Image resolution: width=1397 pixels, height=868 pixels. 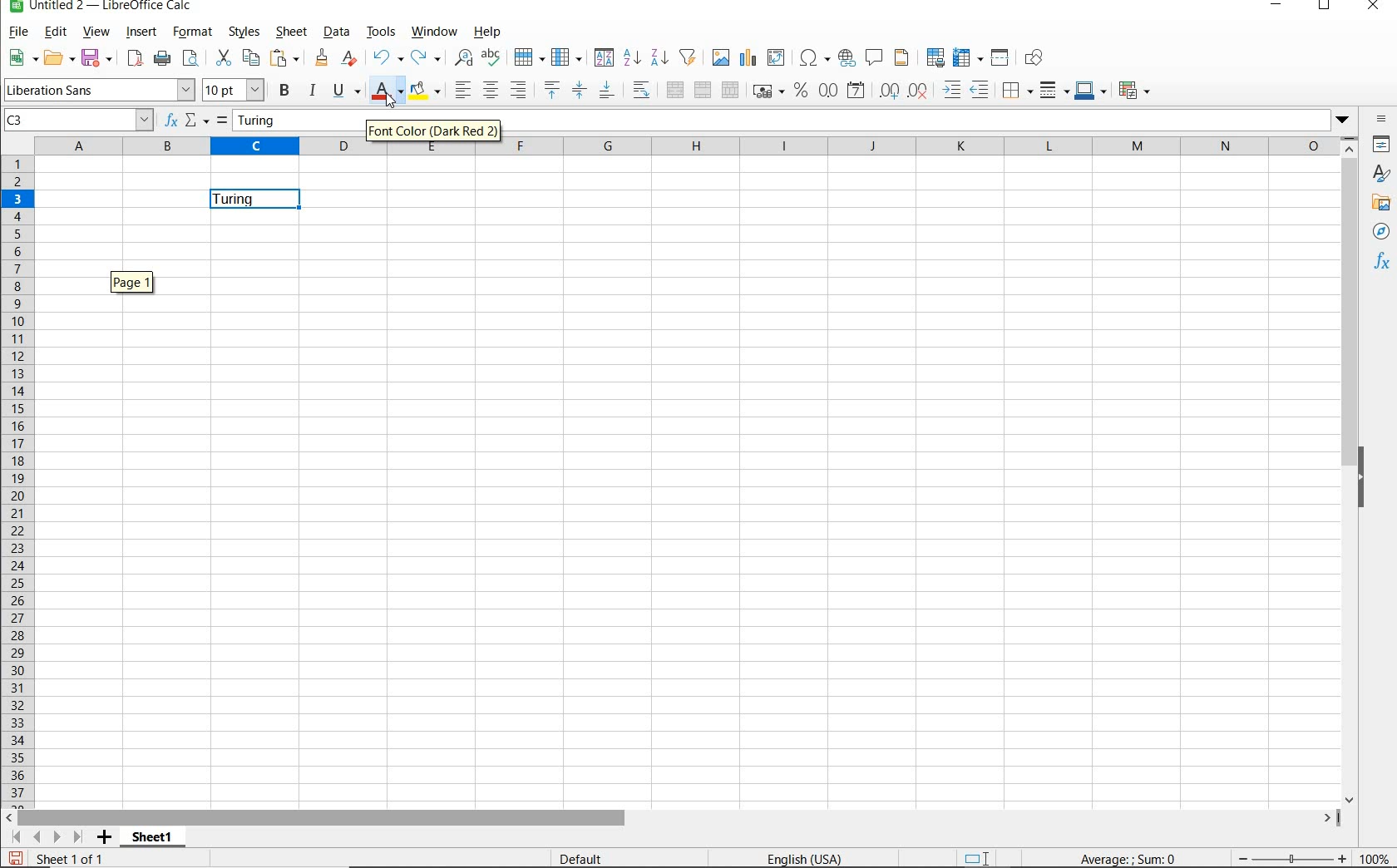 What do you see at coordinates (143, 32) in the screenshot?
I see `INSERT` at bounding box center [143, 32].